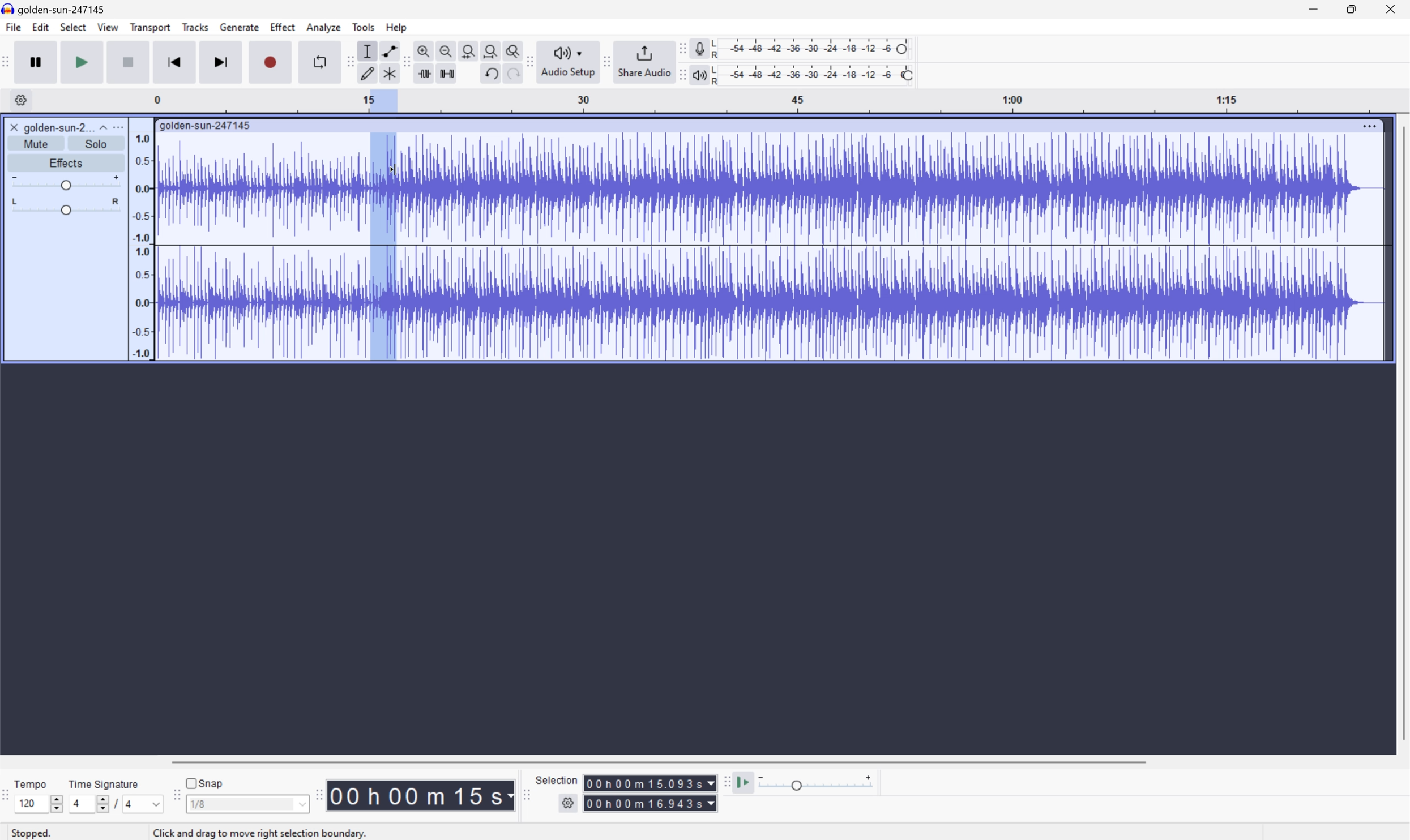  Describe the element at coordinates (423, 51) in the screenshot. I see `Zoom in` at that location.